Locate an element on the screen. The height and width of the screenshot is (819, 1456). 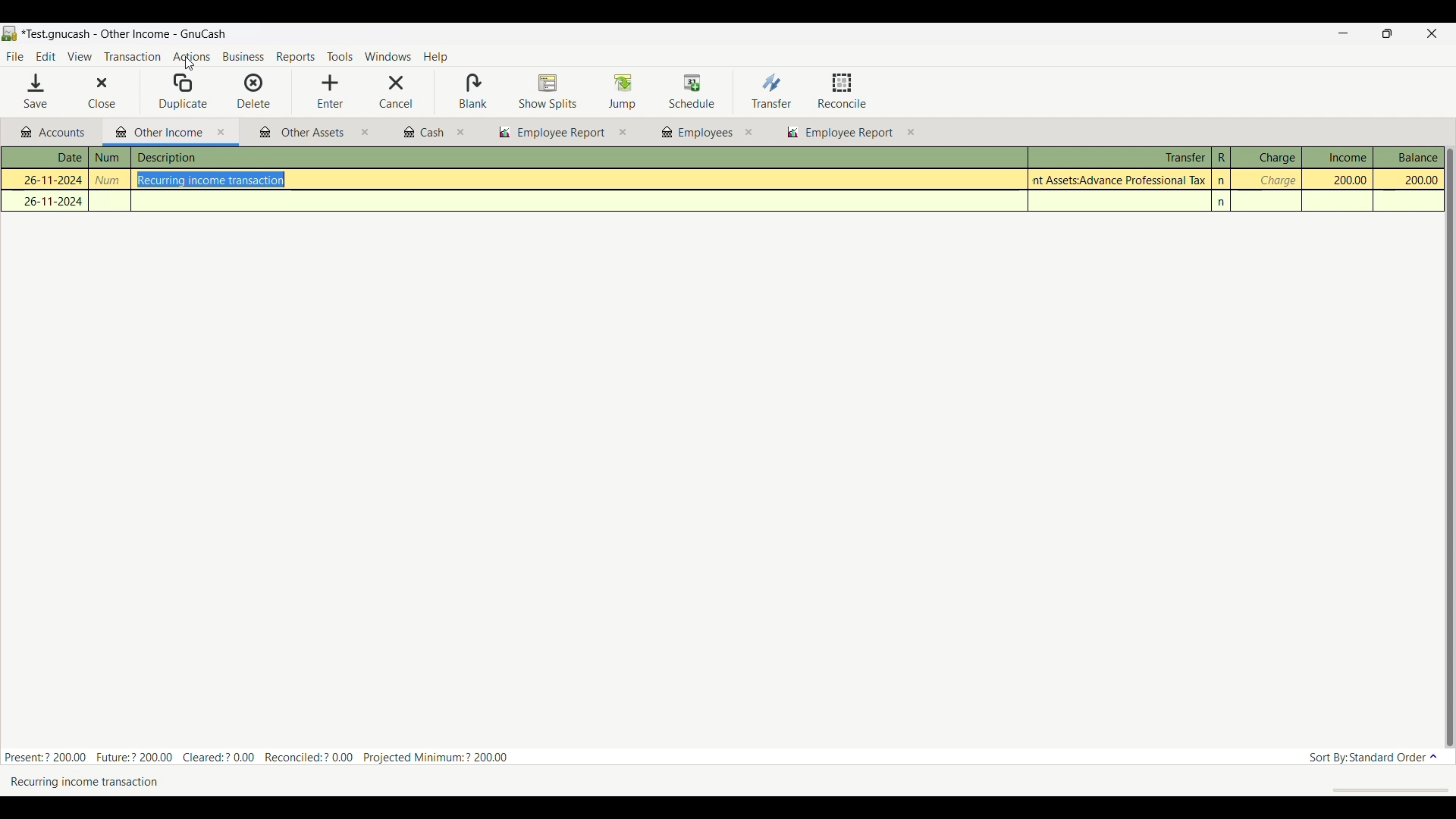
Reports menu is located at coordinates (297, 57).